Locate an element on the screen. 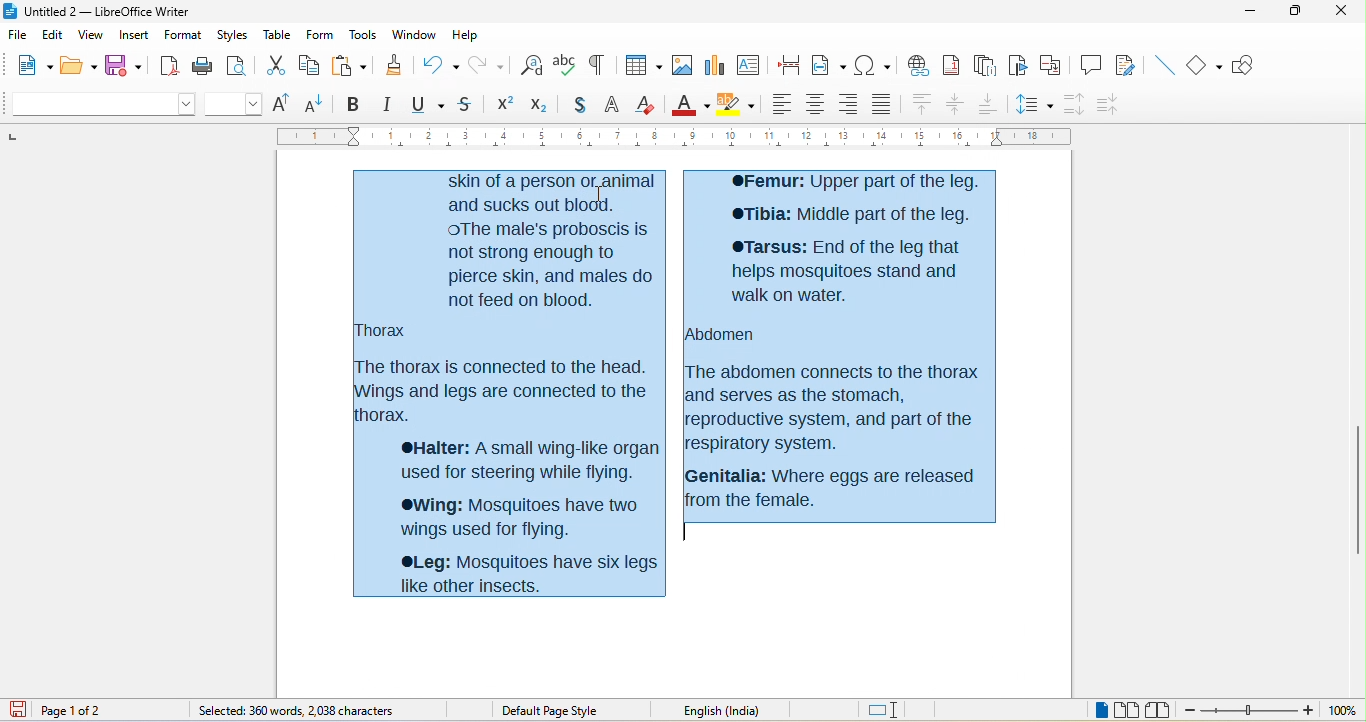 This screenshot has height=722, width=1366. underline is located at coordinates (429, 103).